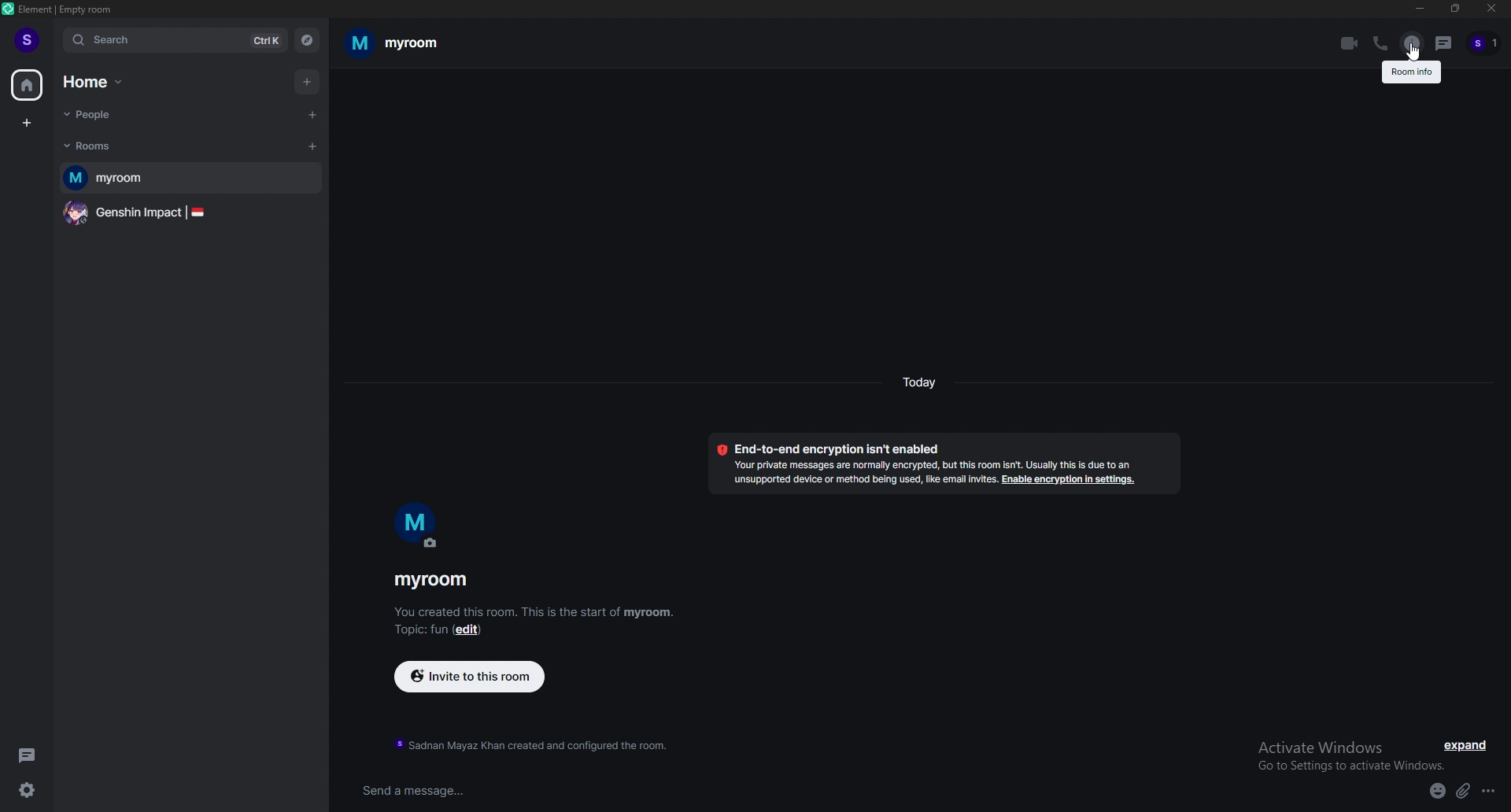  Describe the element at coordinates (1380, 43) in the screenshot. I see `voice call` at that location.